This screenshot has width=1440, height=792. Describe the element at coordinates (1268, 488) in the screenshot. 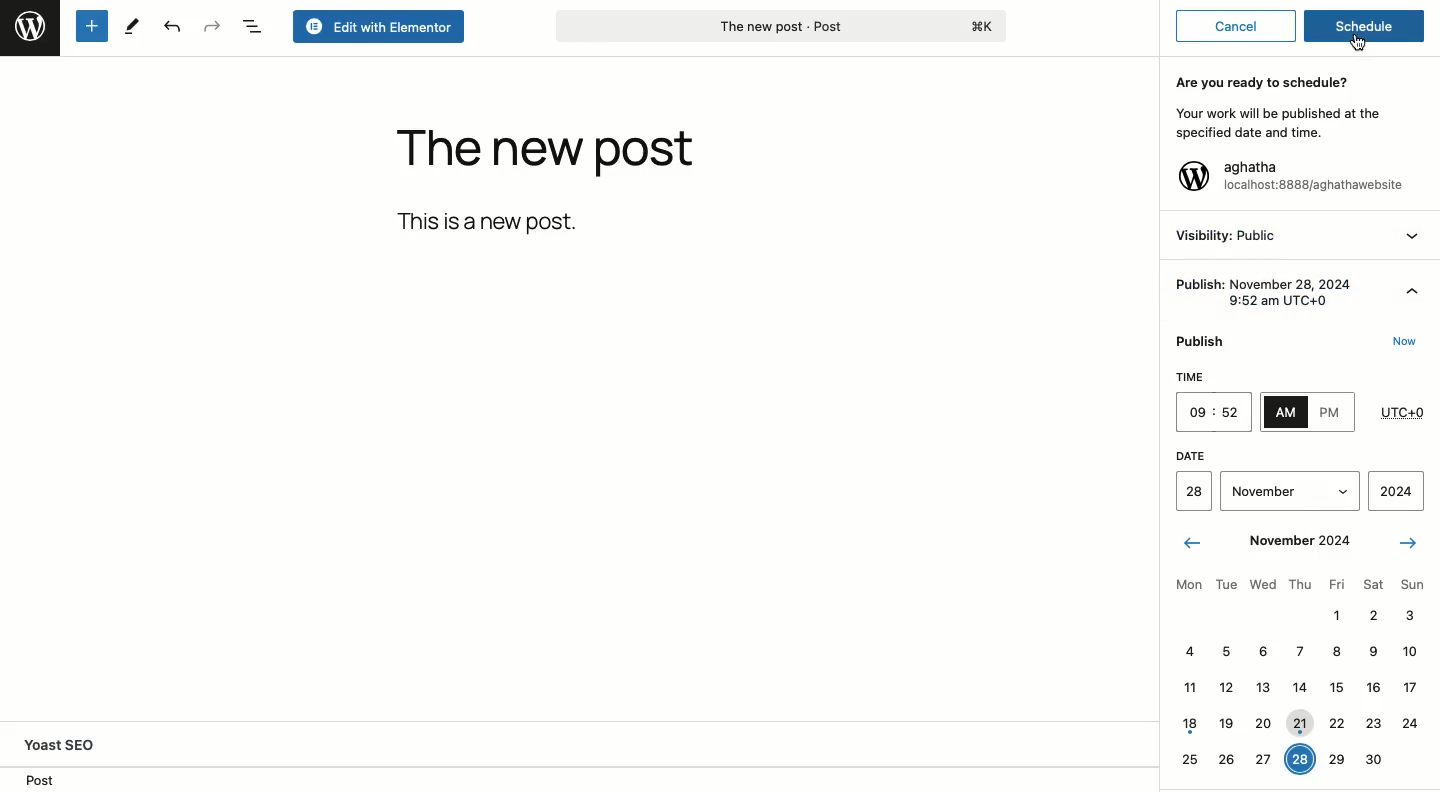

I see `November` at that location.